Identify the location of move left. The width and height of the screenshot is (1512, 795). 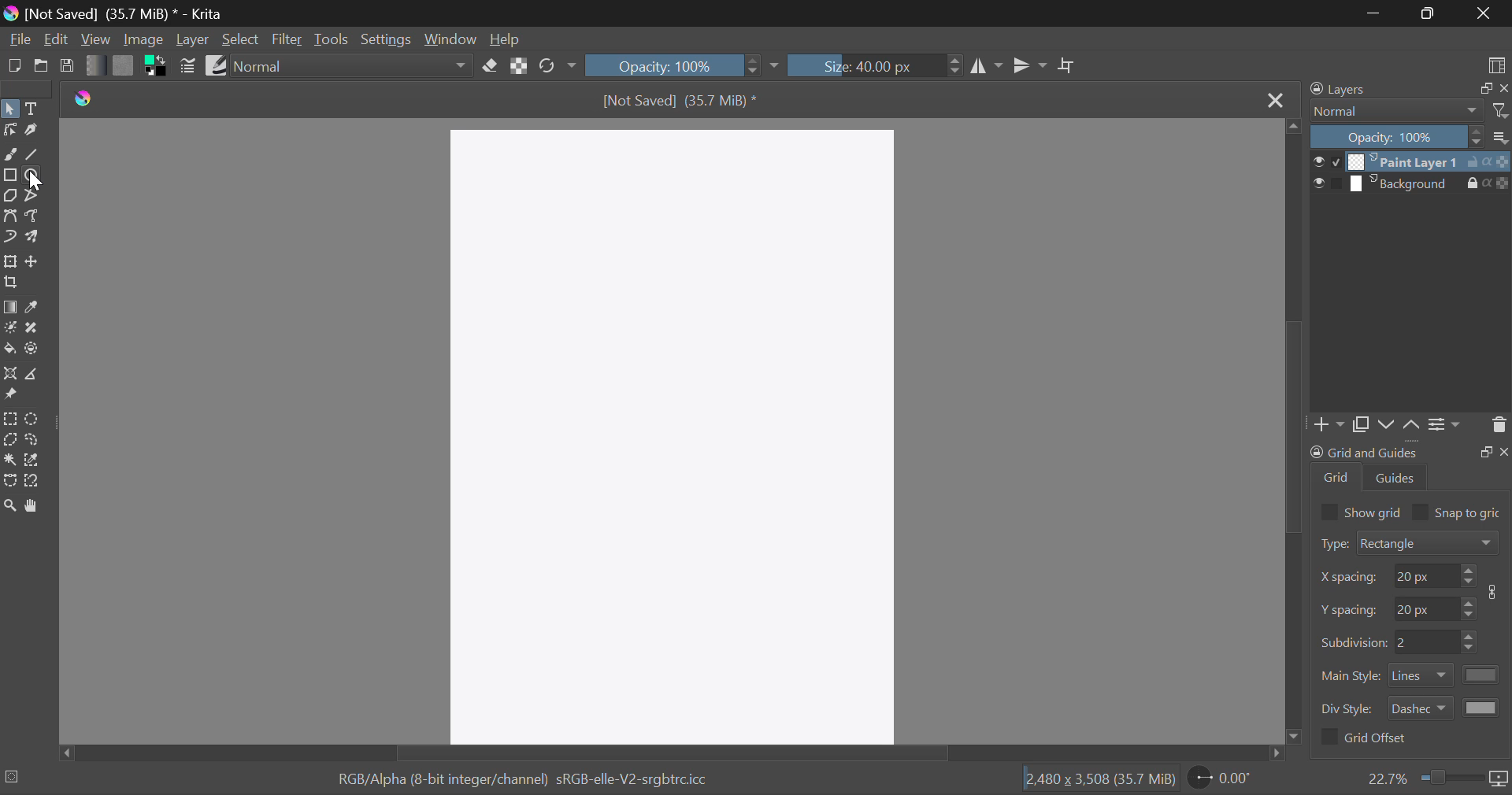
(64, 752).